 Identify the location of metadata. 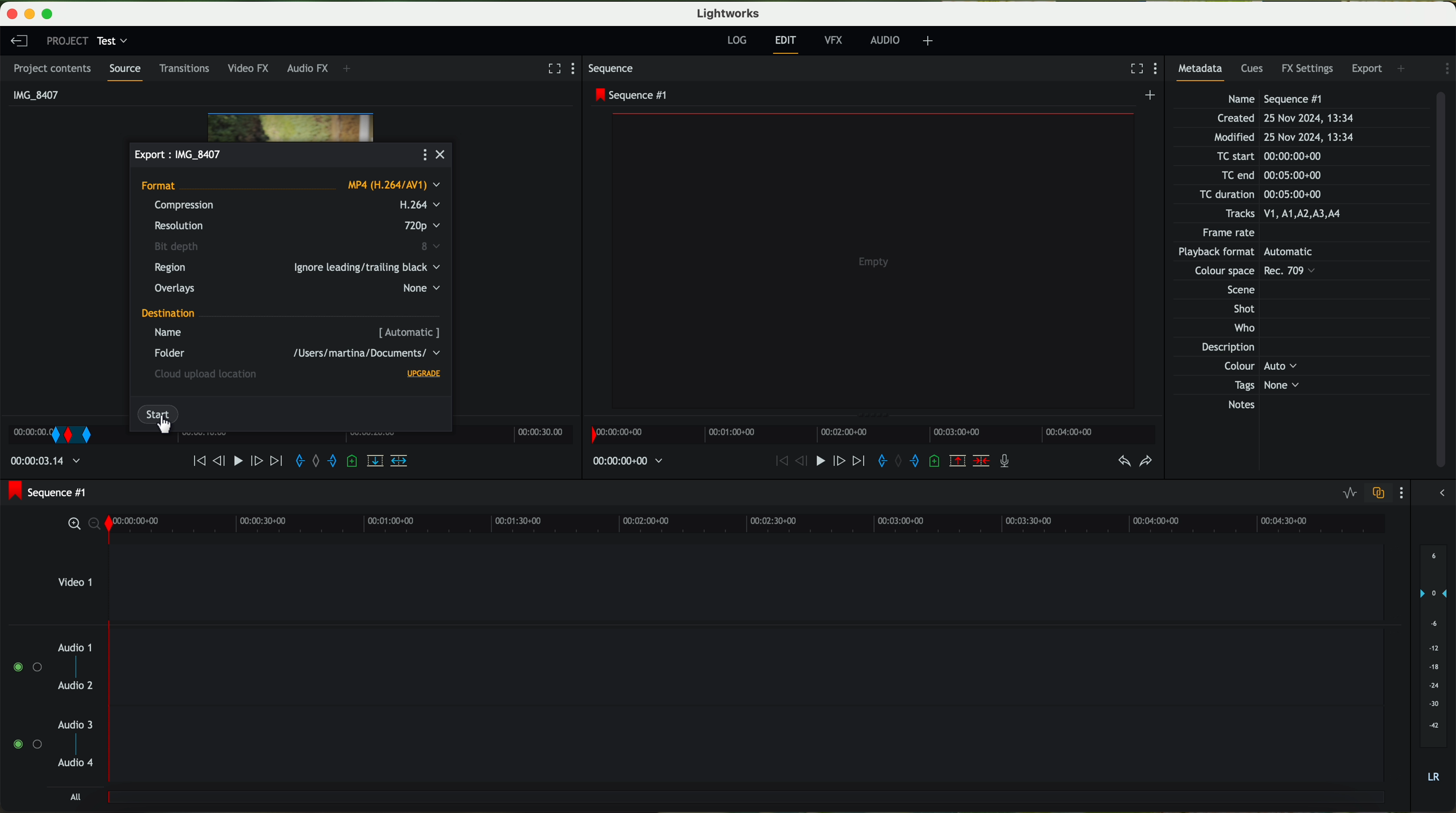
(1204, 71).